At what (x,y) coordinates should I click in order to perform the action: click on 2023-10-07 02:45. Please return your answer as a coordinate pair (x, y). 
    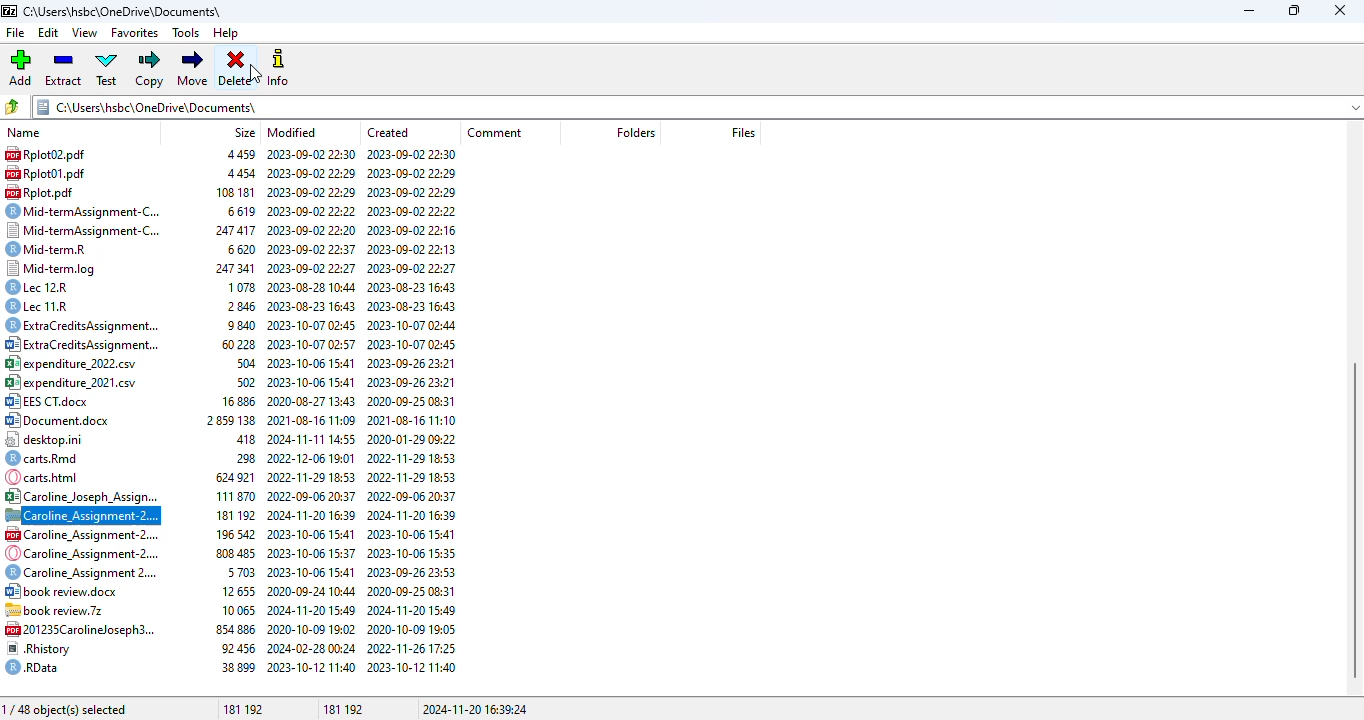
    Looking at the image, I should click on (416, 344).